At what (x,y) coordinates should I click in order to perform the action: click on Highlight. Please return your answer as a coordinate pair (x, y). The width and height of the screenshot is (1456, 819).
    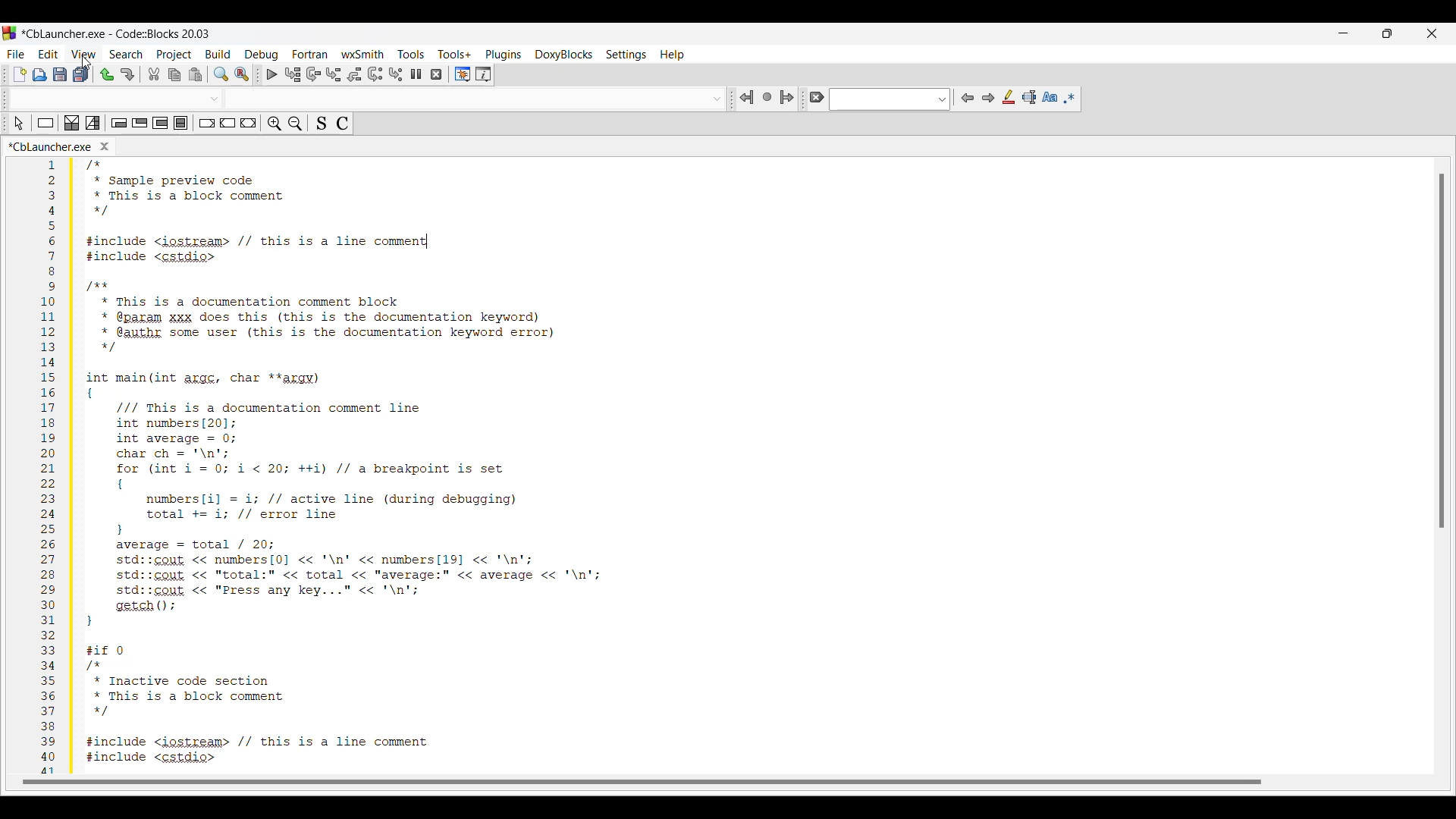
    Looking at the image, I should click on (1008, 97).